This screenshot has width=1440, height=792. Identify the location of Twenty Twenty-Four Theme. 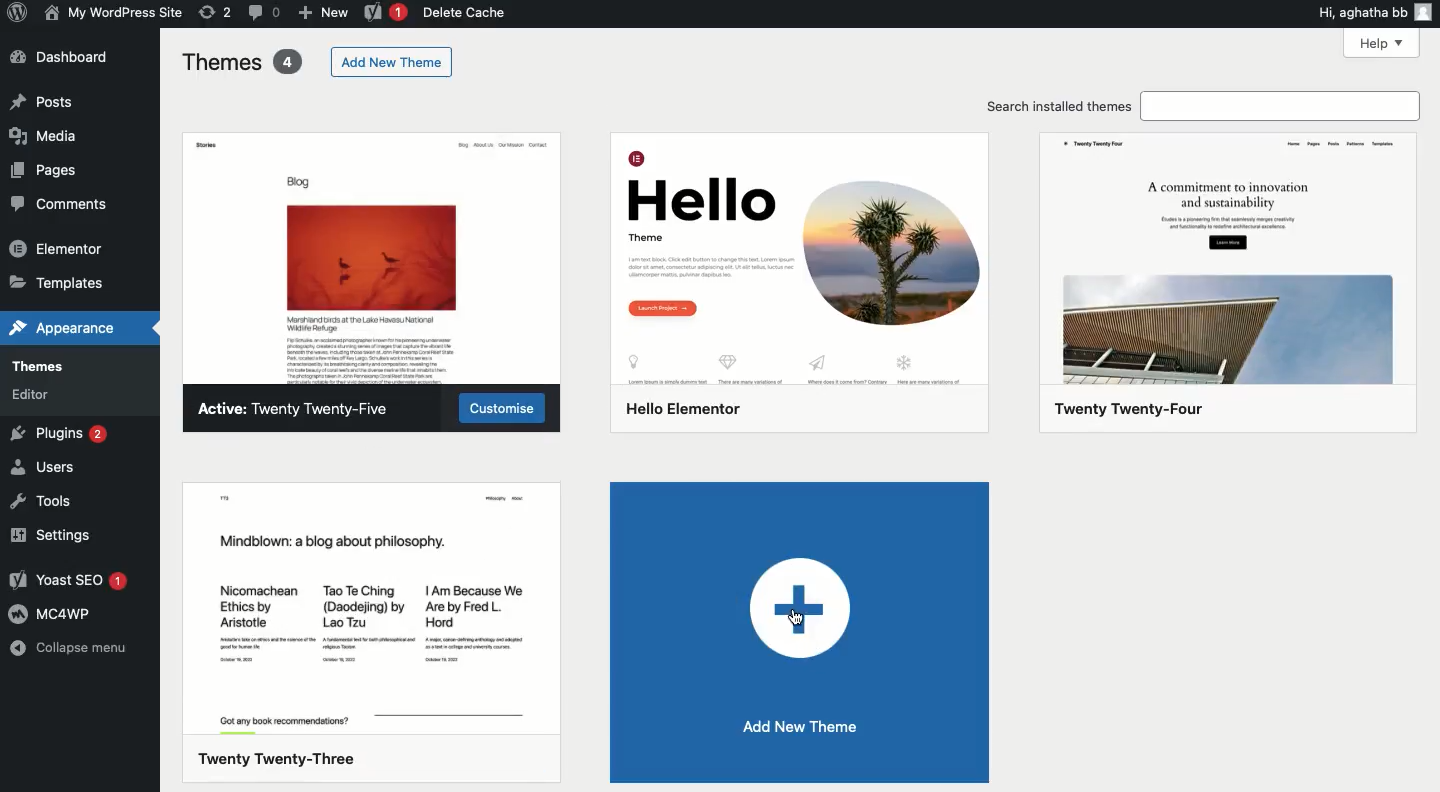
(1228, 282).